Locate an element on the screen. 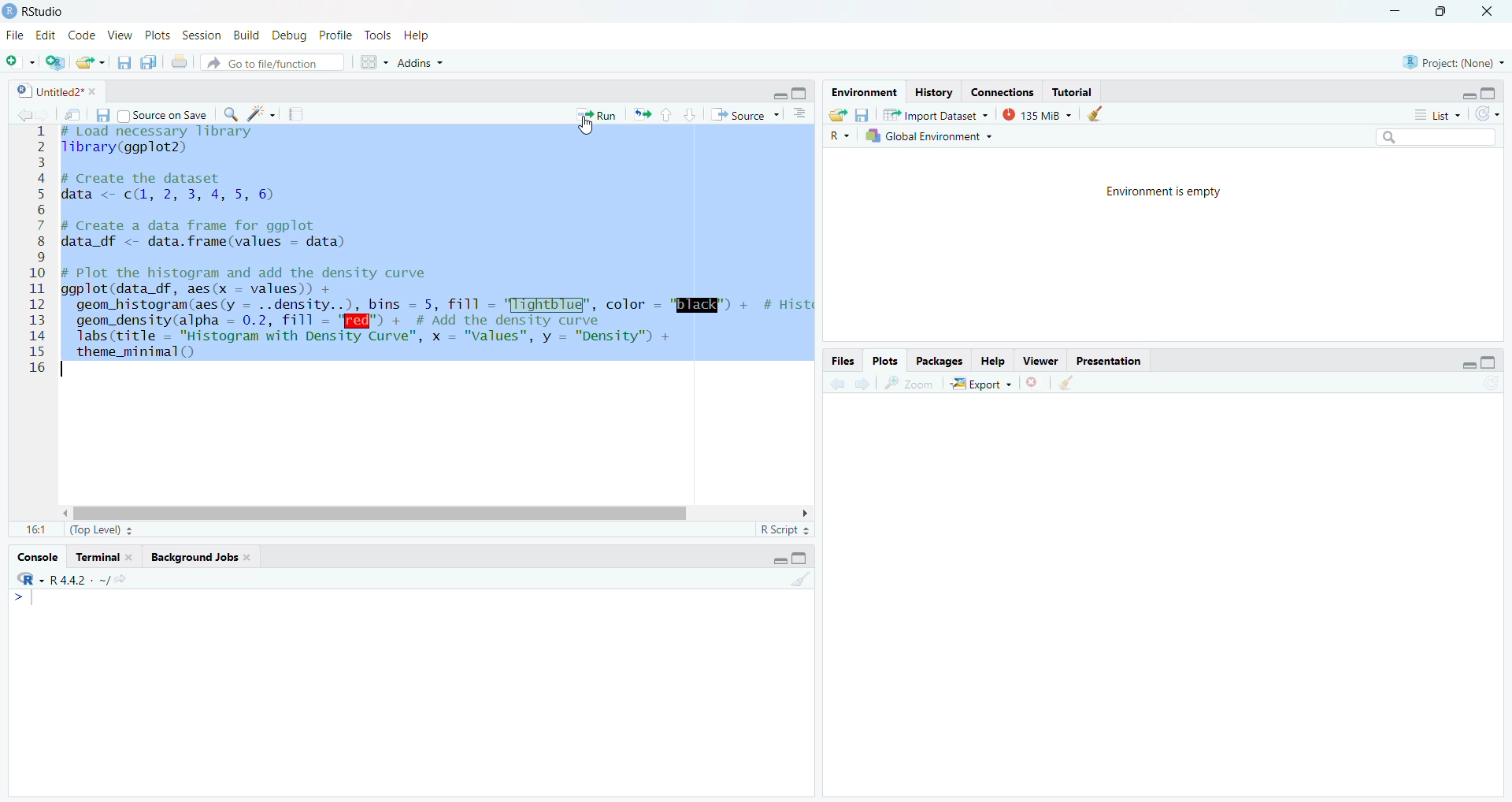  minimize is located at coordinates (1471, 94).